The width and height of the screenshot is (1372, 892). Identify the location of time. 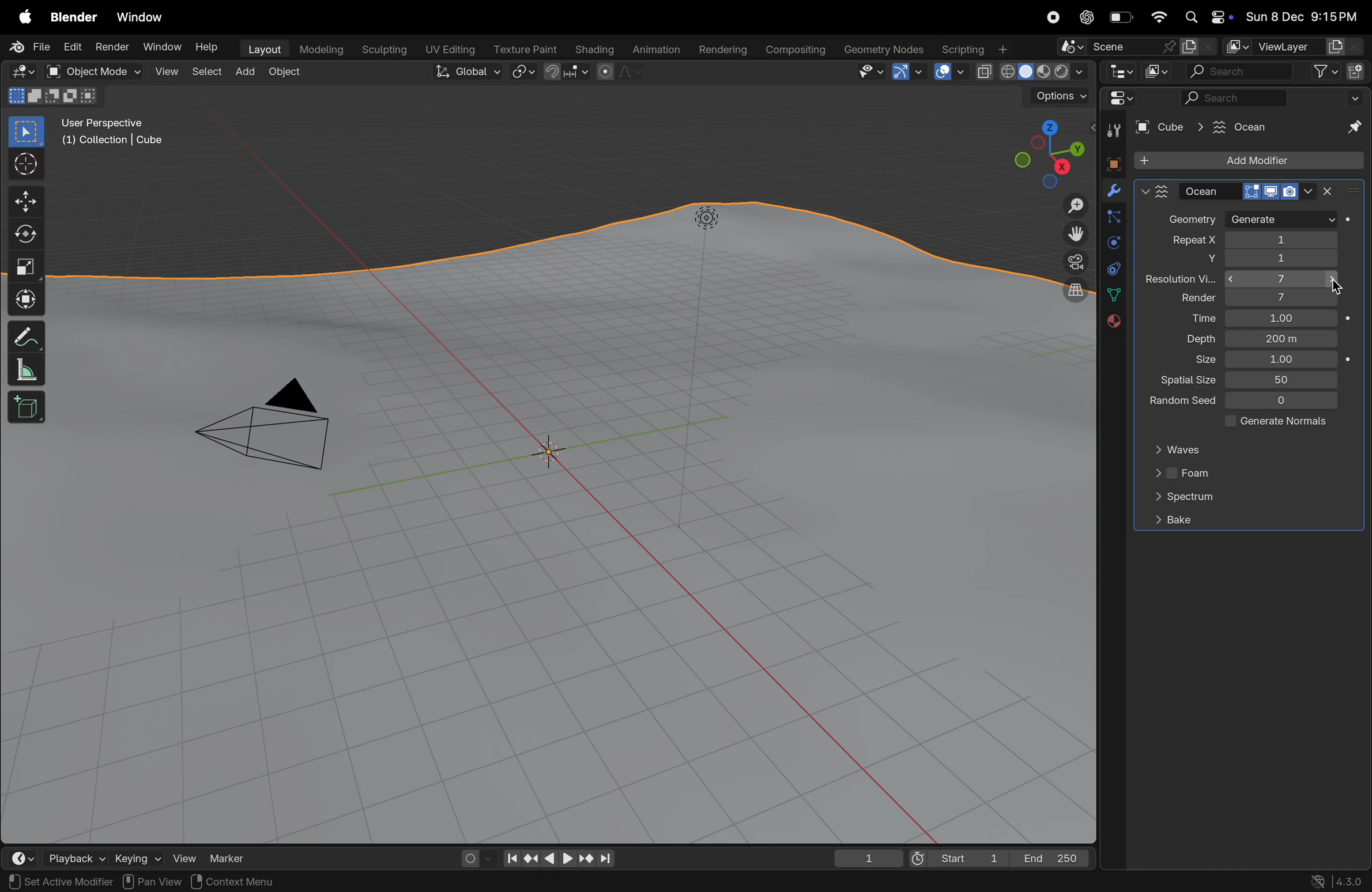
(1192, 319).